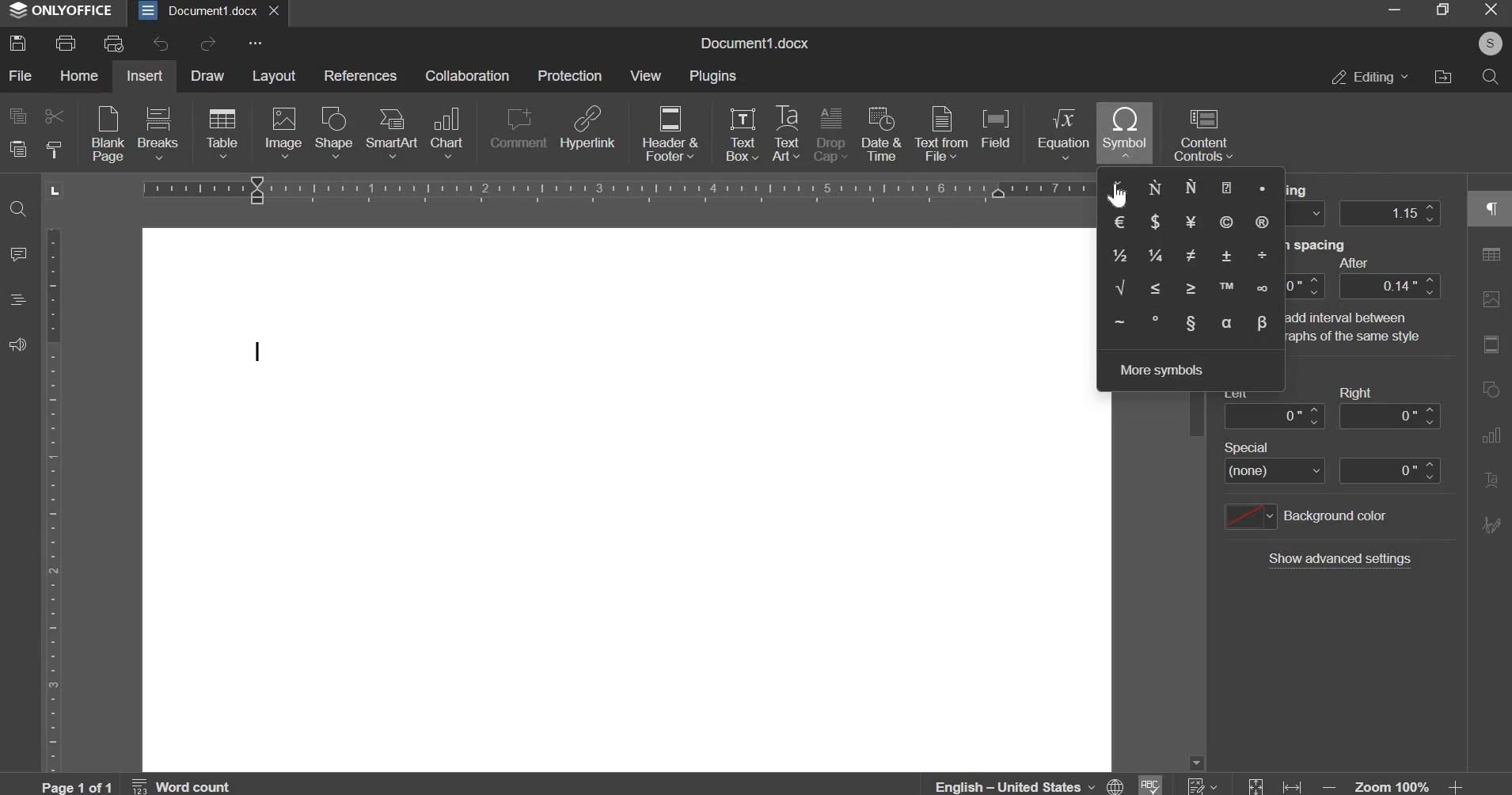 This screenshot has height=795, width=1512. Describe the element at coordinates (1272, 785) in the screenshot. I see `fit` at that location.